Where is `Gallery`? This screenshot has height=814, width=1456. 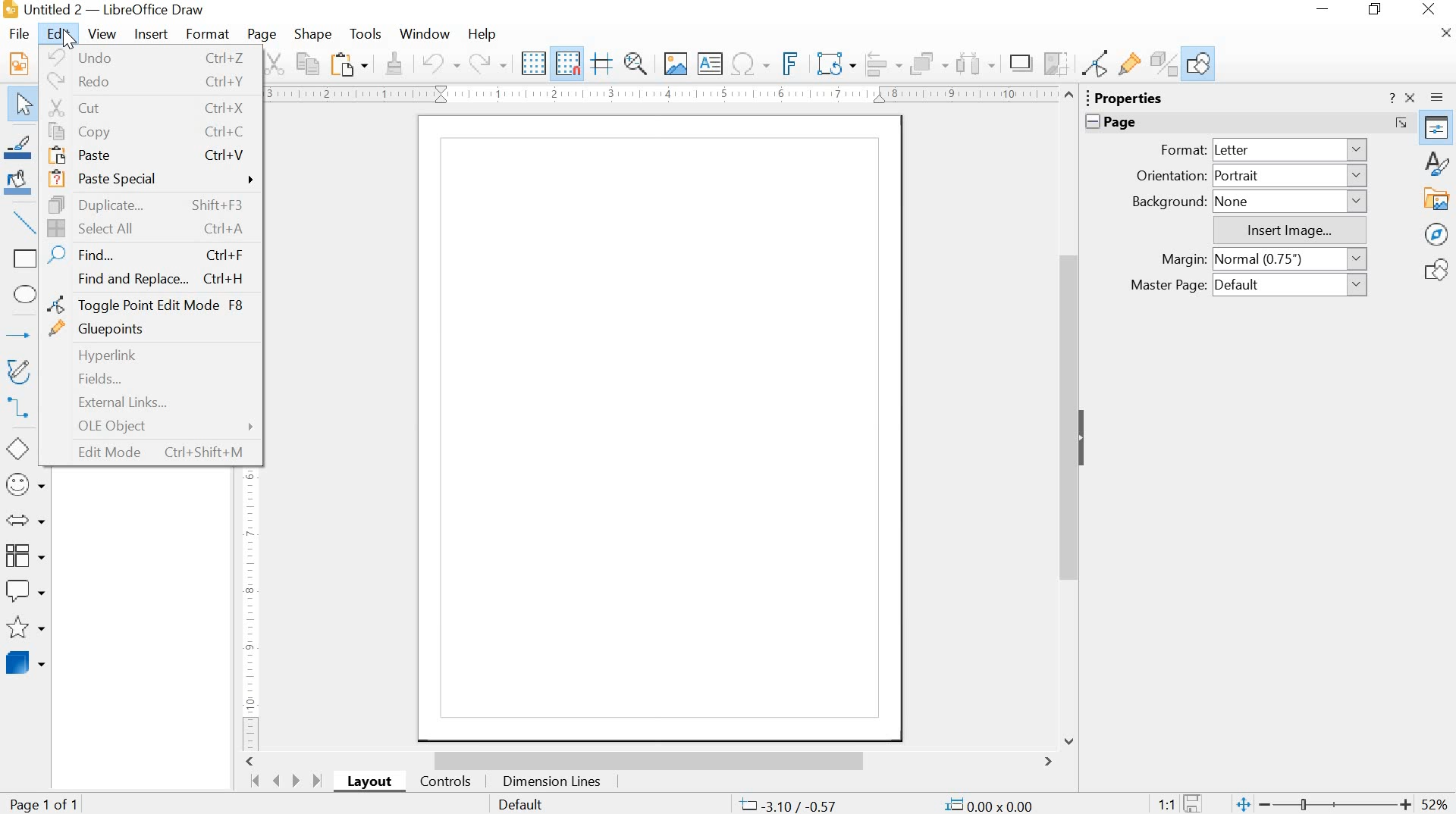
Gallery is located at coordinates (1438, 199).